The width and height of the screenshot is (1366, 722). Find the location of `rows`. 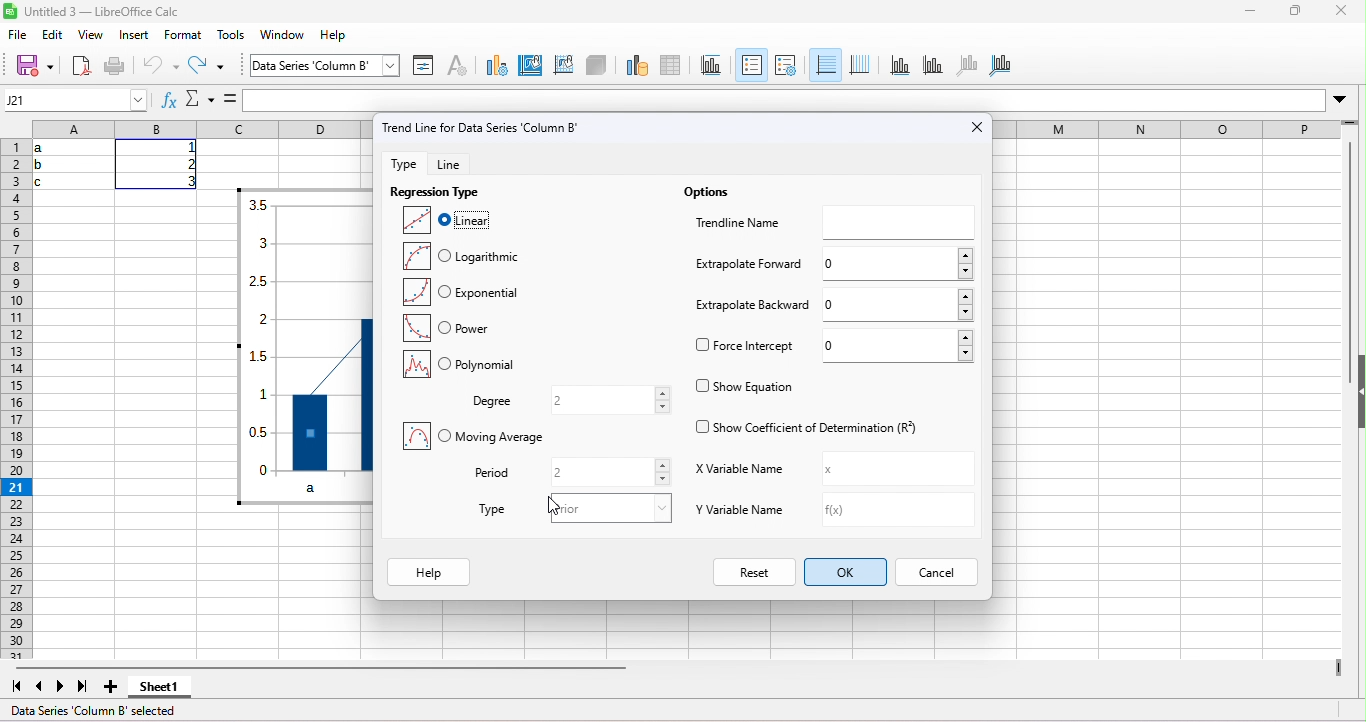

rows is located at coordinates (13, 398).